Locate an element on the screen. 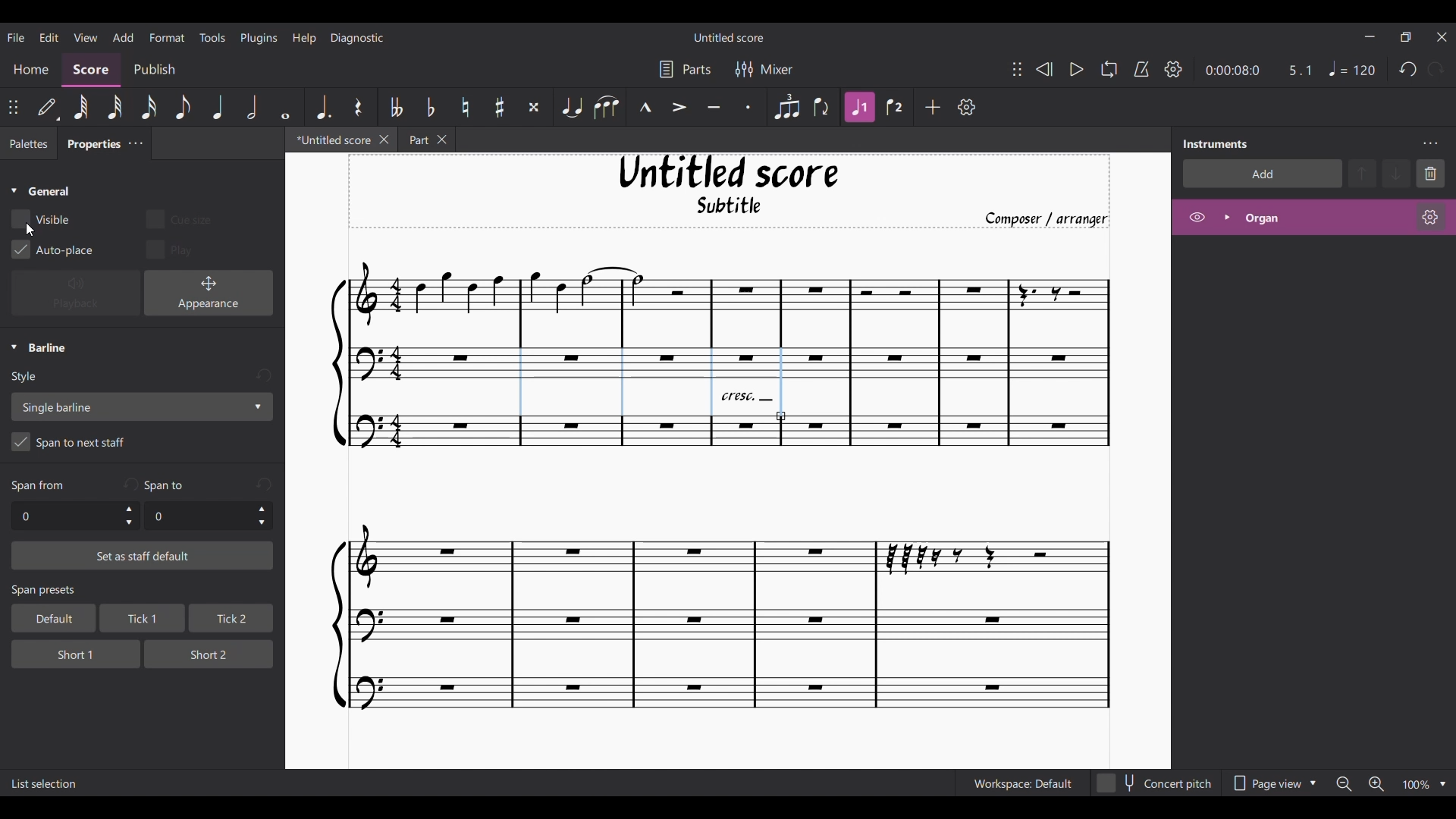 The image size is (1456, 819). Zoom out is located at coordinates (1344, 784).